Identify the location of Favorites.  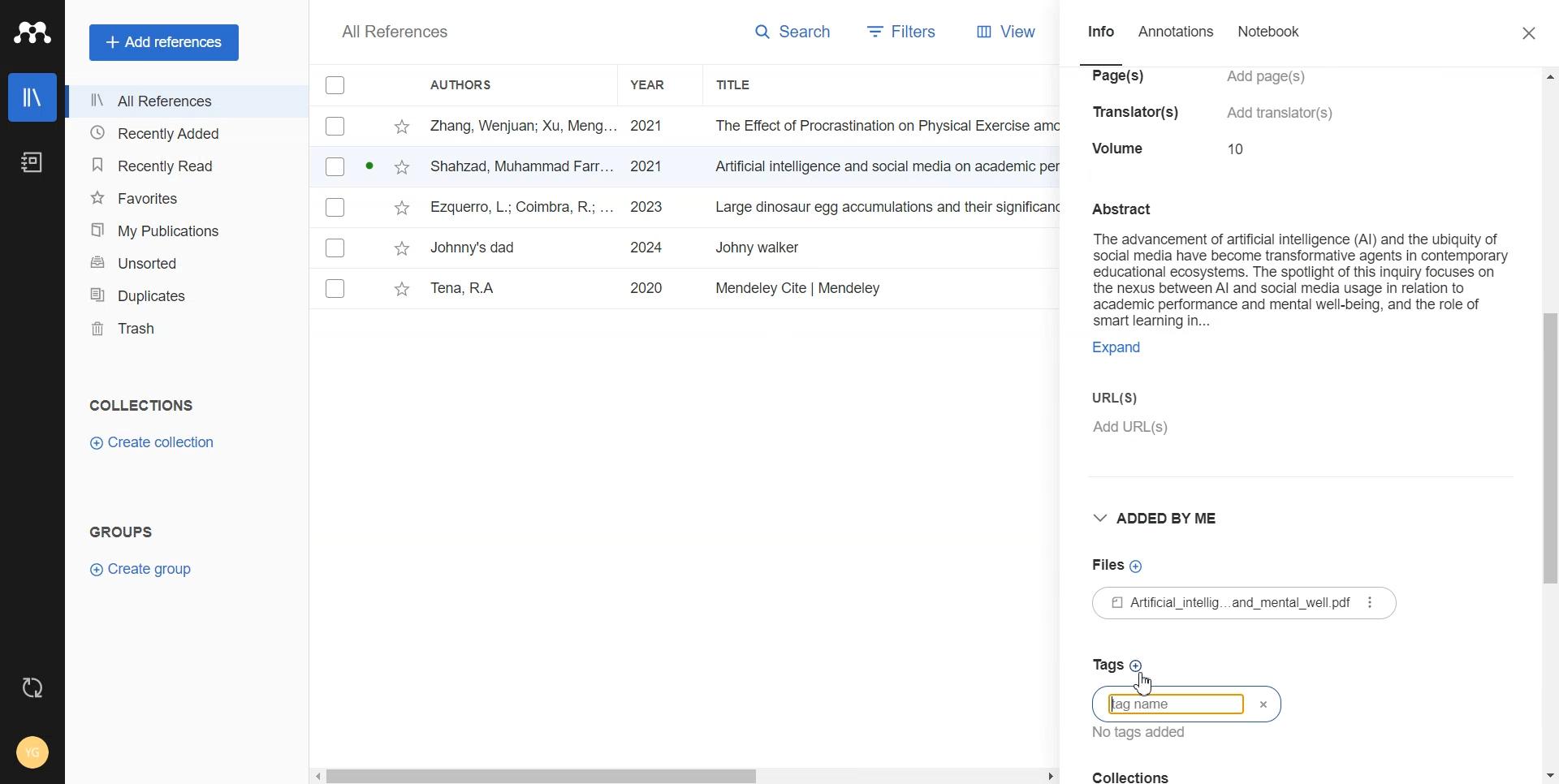
(183, 196).